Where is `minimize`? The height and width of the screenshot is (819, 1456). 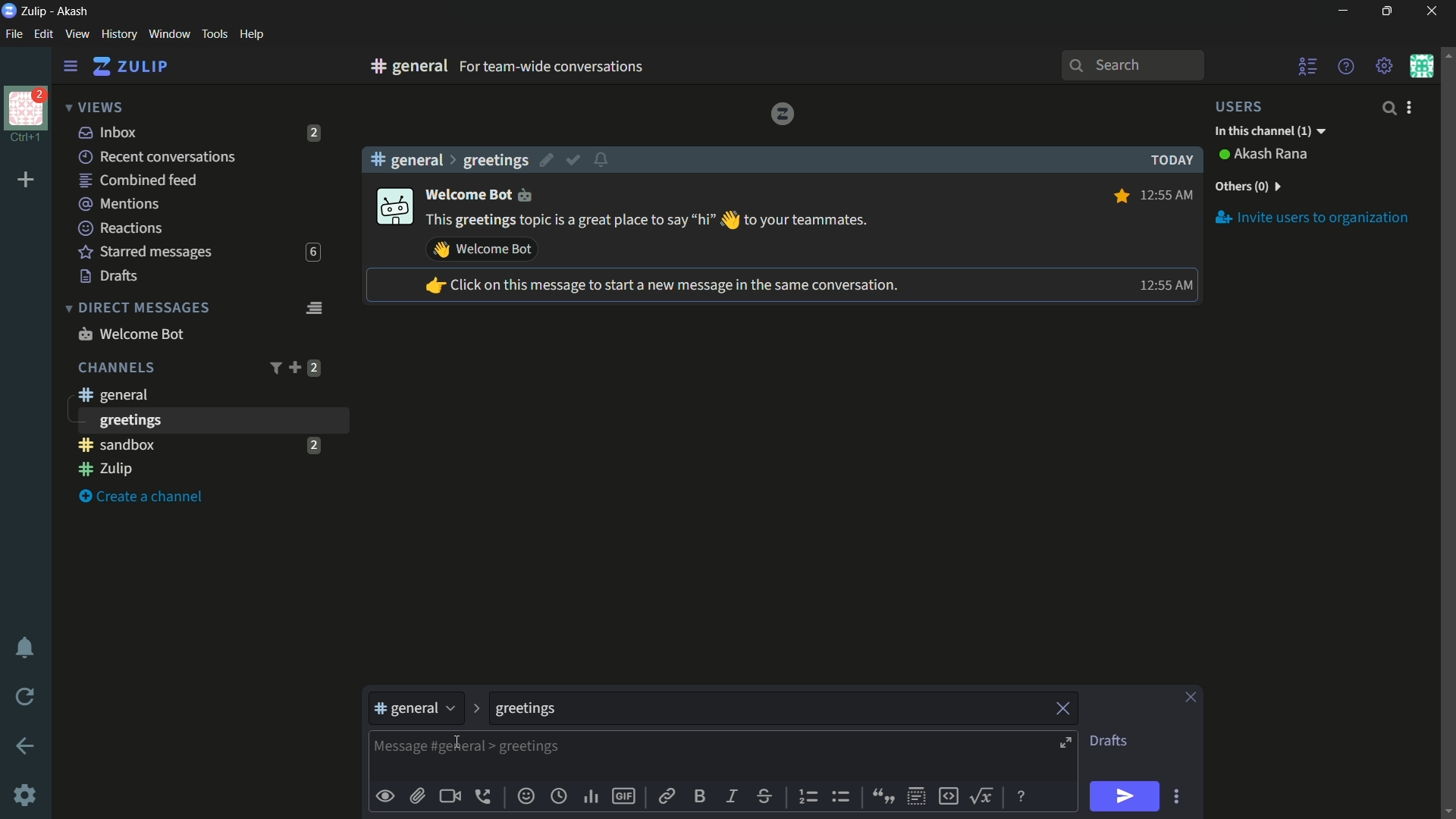
minimize is located at coordinates (1342, 11).